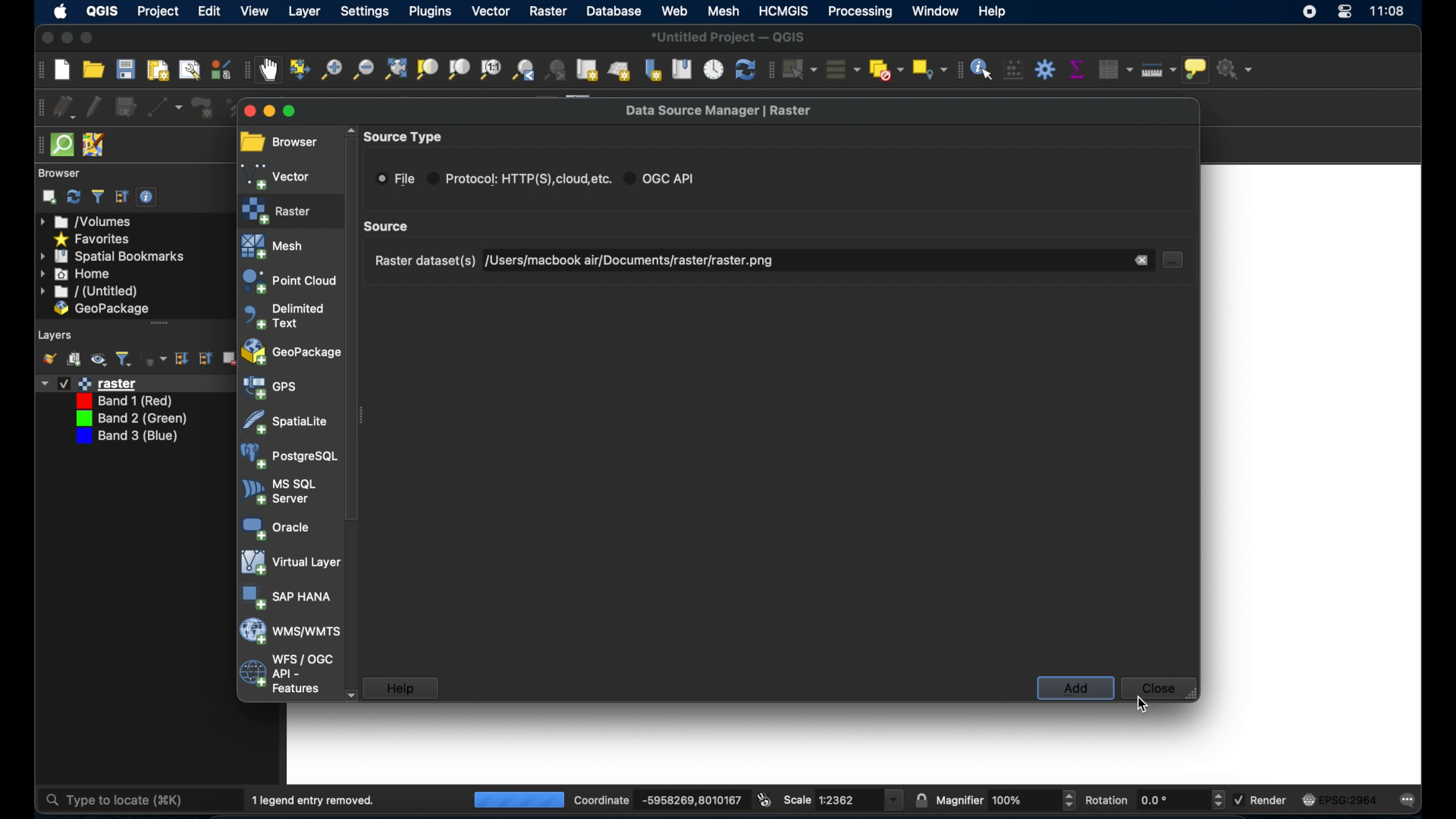 The width and height of the screenshot is (1456, 819). What do you see at coordinates (87, 38) in the screenshot?
I see `maximize` at bounding box center [87, 38].